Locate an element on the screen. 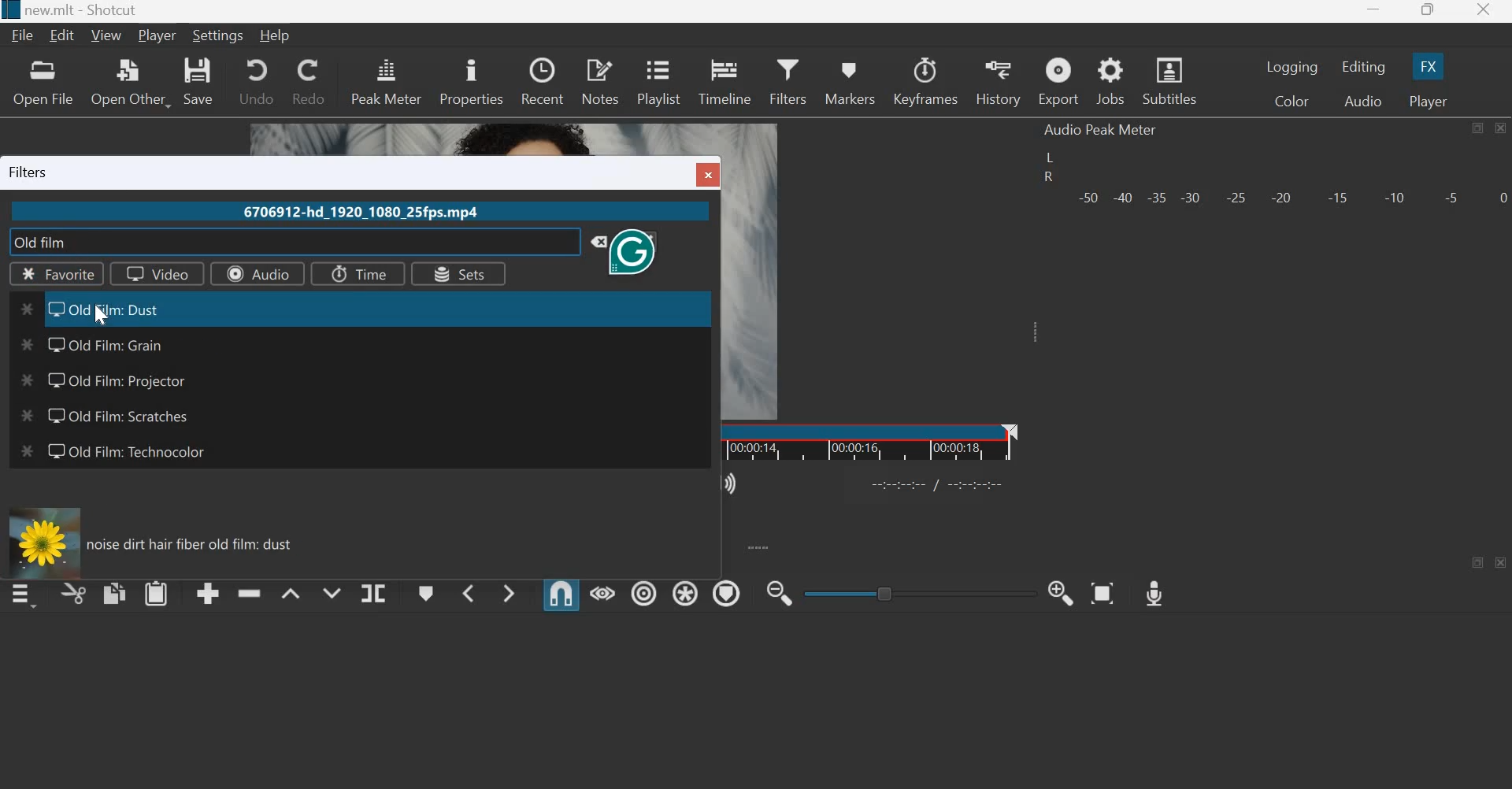 Image resolution: width=1512 pixels, height=789 pixels. maximize is located at coordinates (1480, 562).